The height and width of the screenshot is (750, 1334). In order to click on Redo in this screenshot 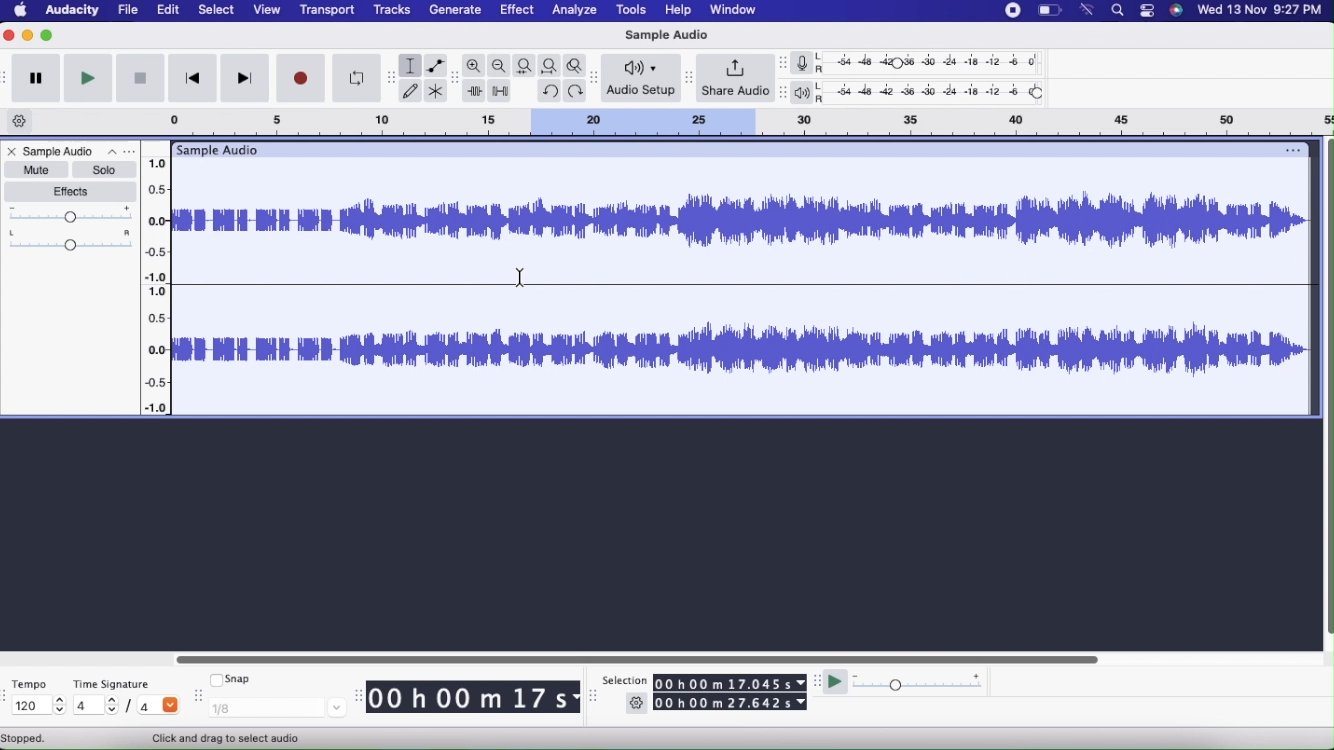, I will do `click(578, 91)`.